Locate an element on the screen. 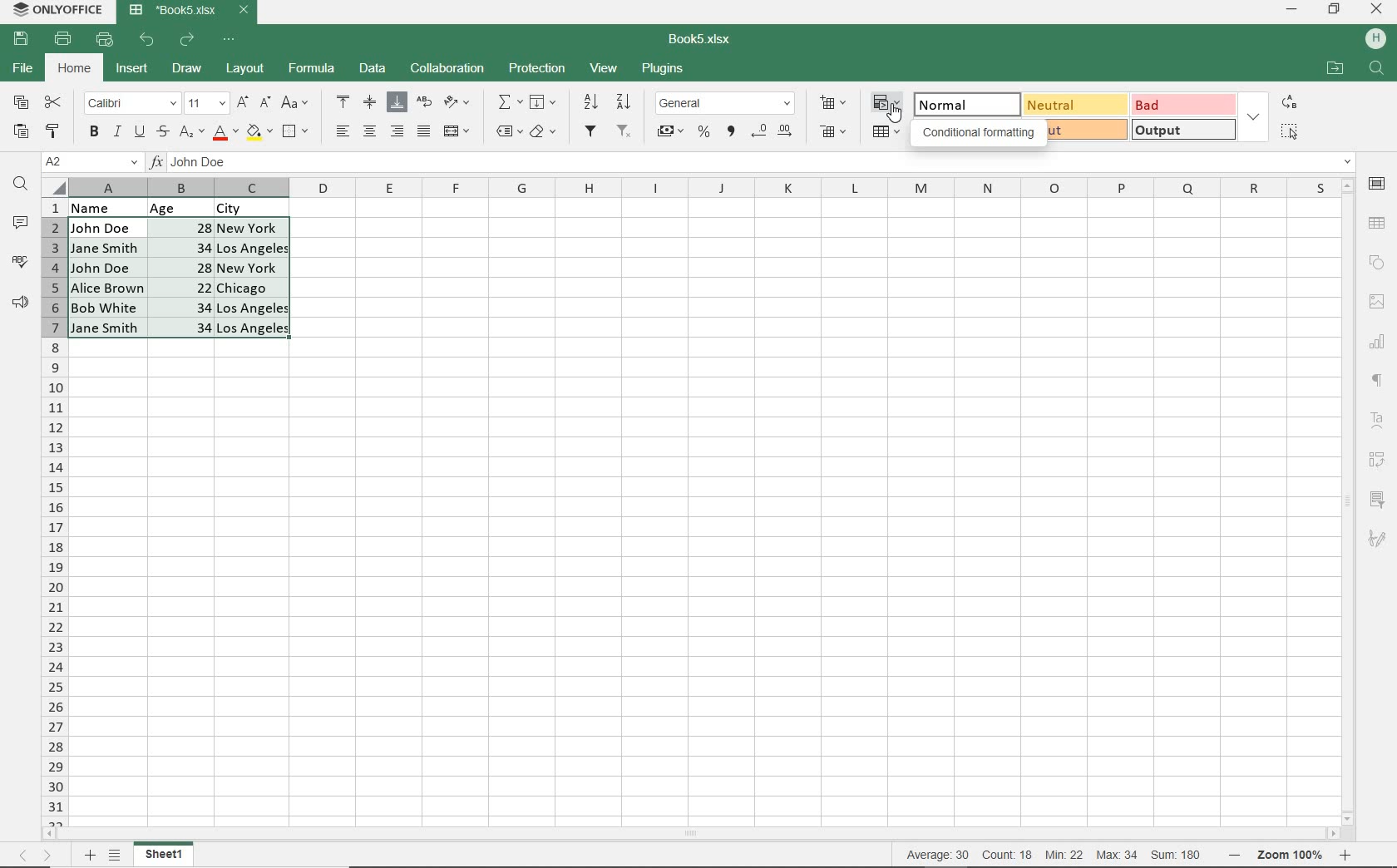  ALIGN LEFT is located at coordinates (341, 132).